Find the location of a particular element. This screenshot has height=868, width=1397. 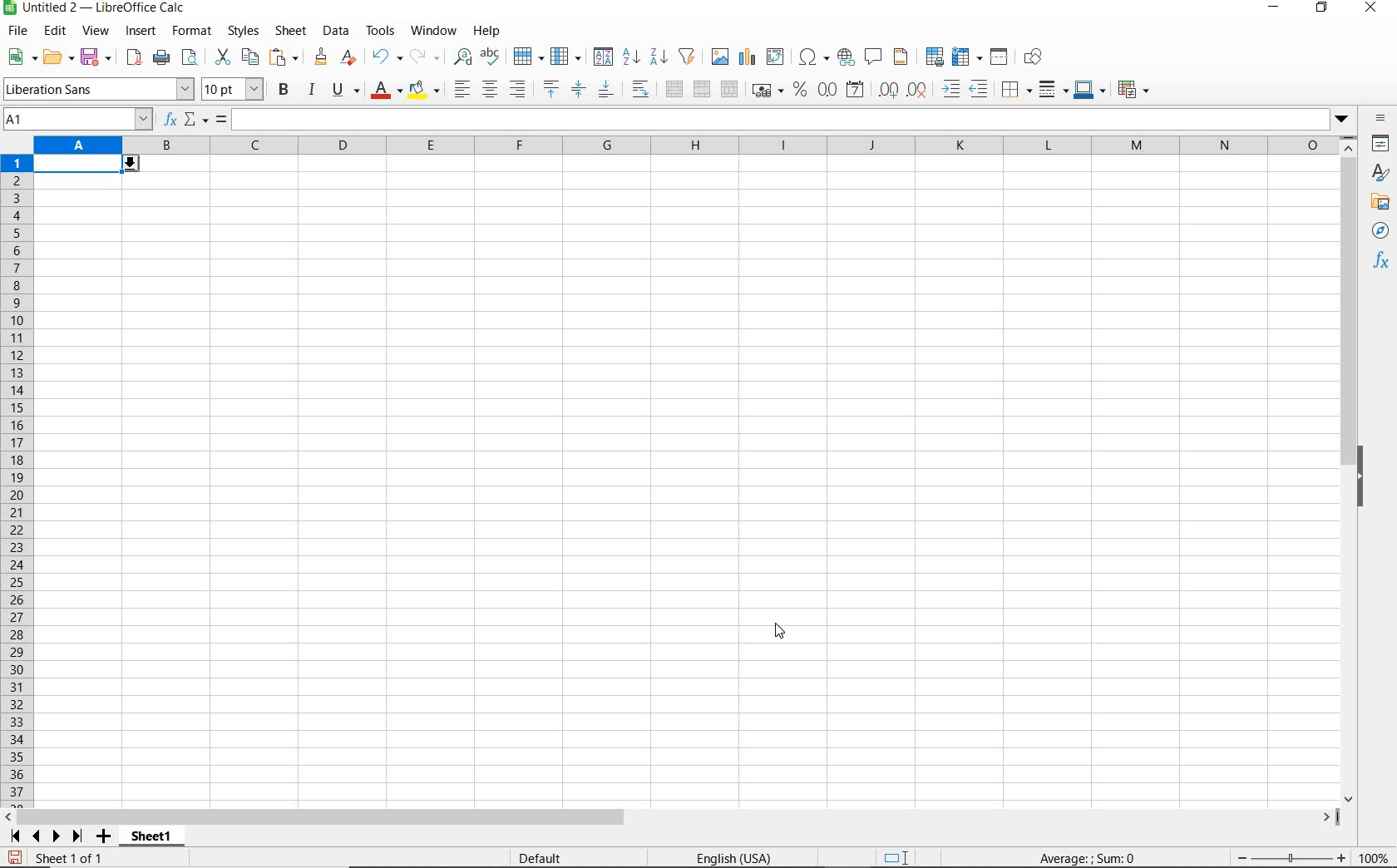

zoom factor is located at coordinates (1375, 857).